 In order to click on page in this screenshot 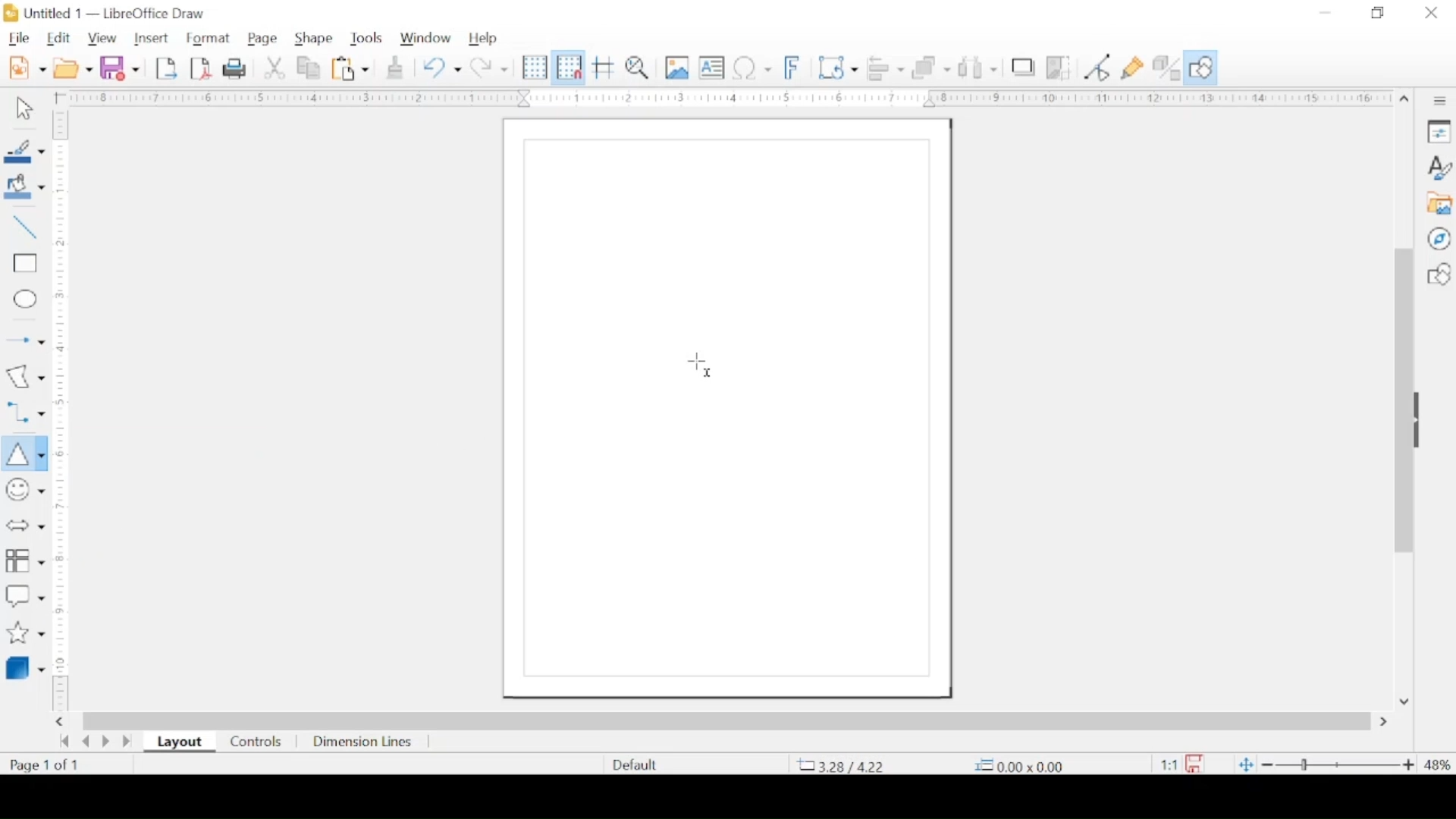, I will do `click(265, 37)`.